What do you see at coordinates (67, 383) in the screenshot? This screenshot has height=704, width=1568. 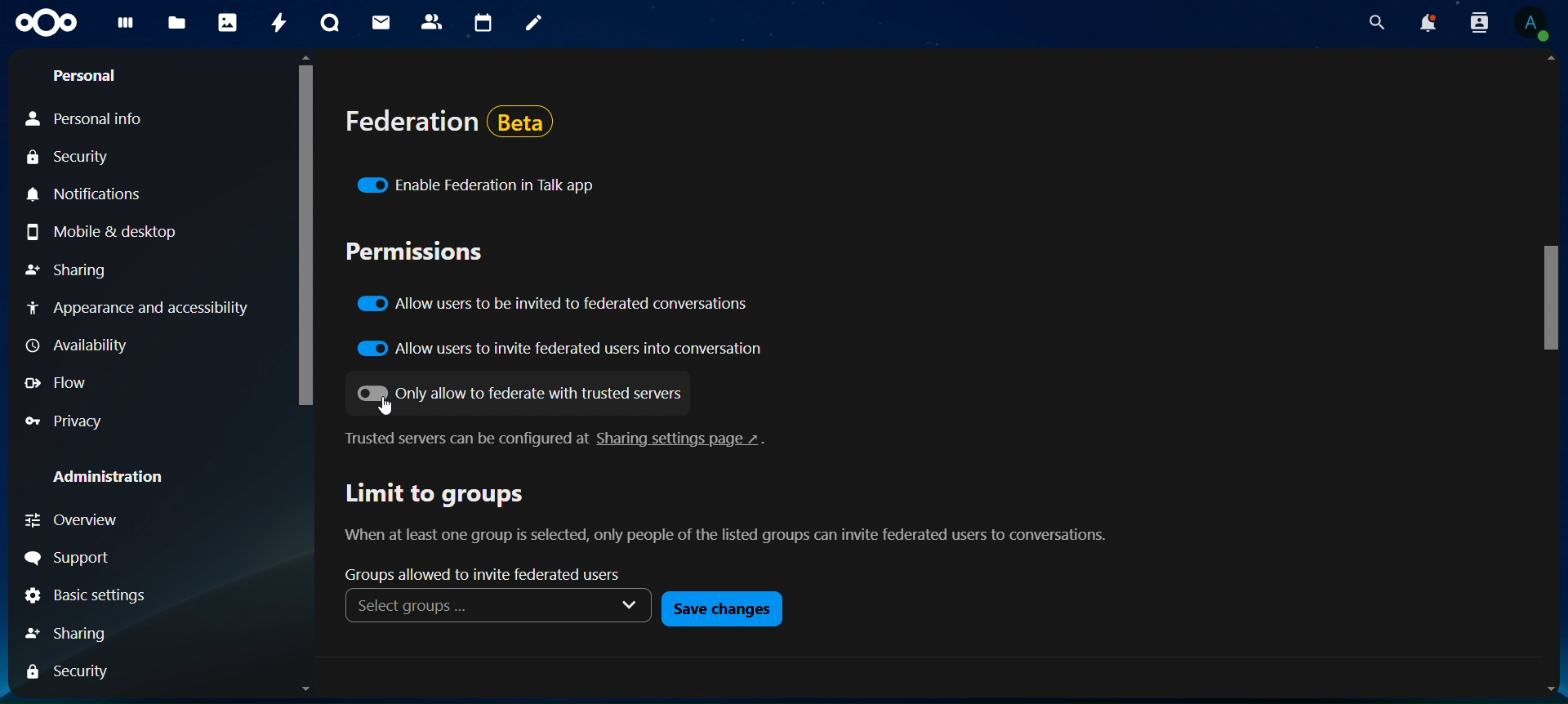 I see `flow` at bounding box center [67, 383].